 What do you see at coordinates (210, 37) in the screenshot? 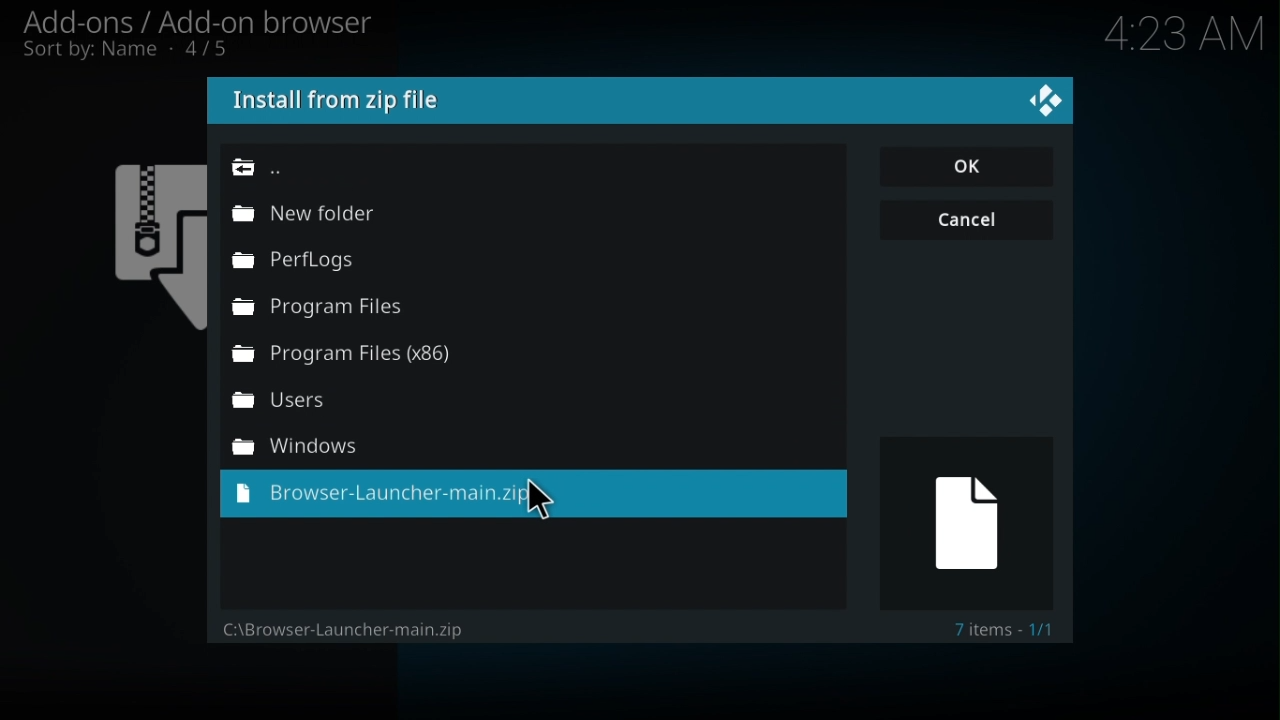
I see `Add ons` at bounding box center [210, 37].